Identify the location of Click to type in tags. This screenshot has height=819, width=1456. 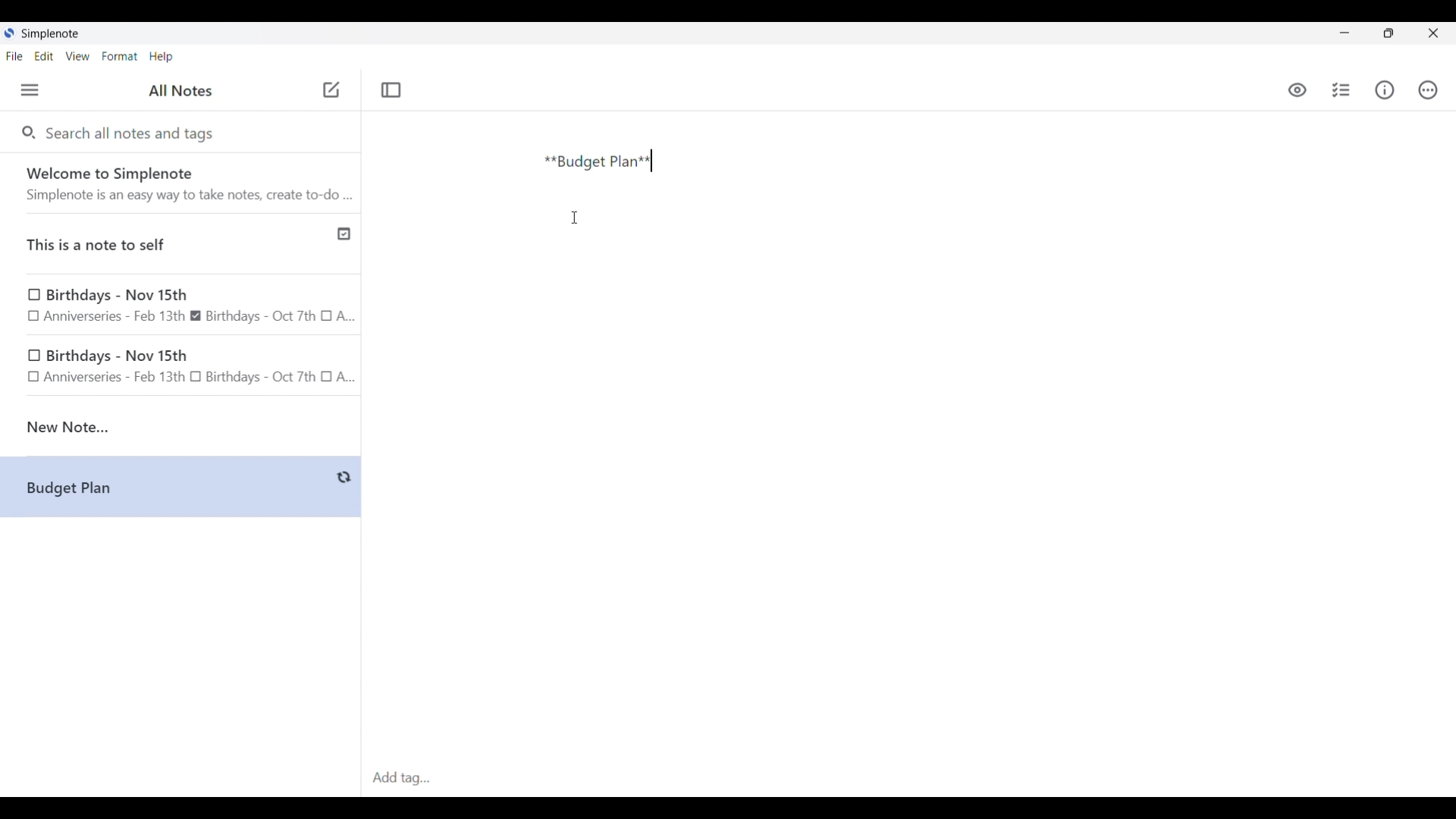
(908, 779).